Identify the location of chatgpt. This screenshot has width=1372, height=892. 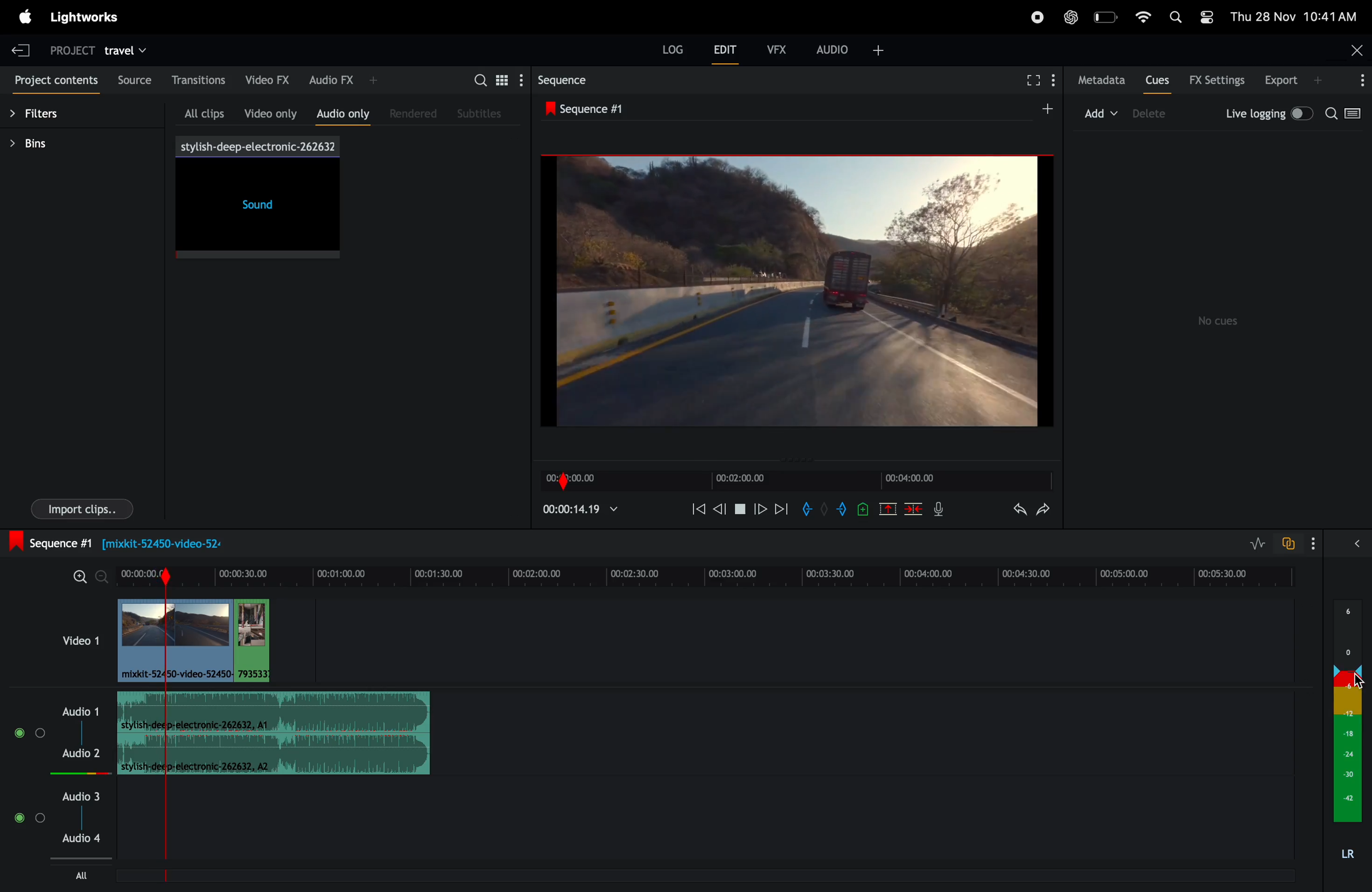
(1069, 16).